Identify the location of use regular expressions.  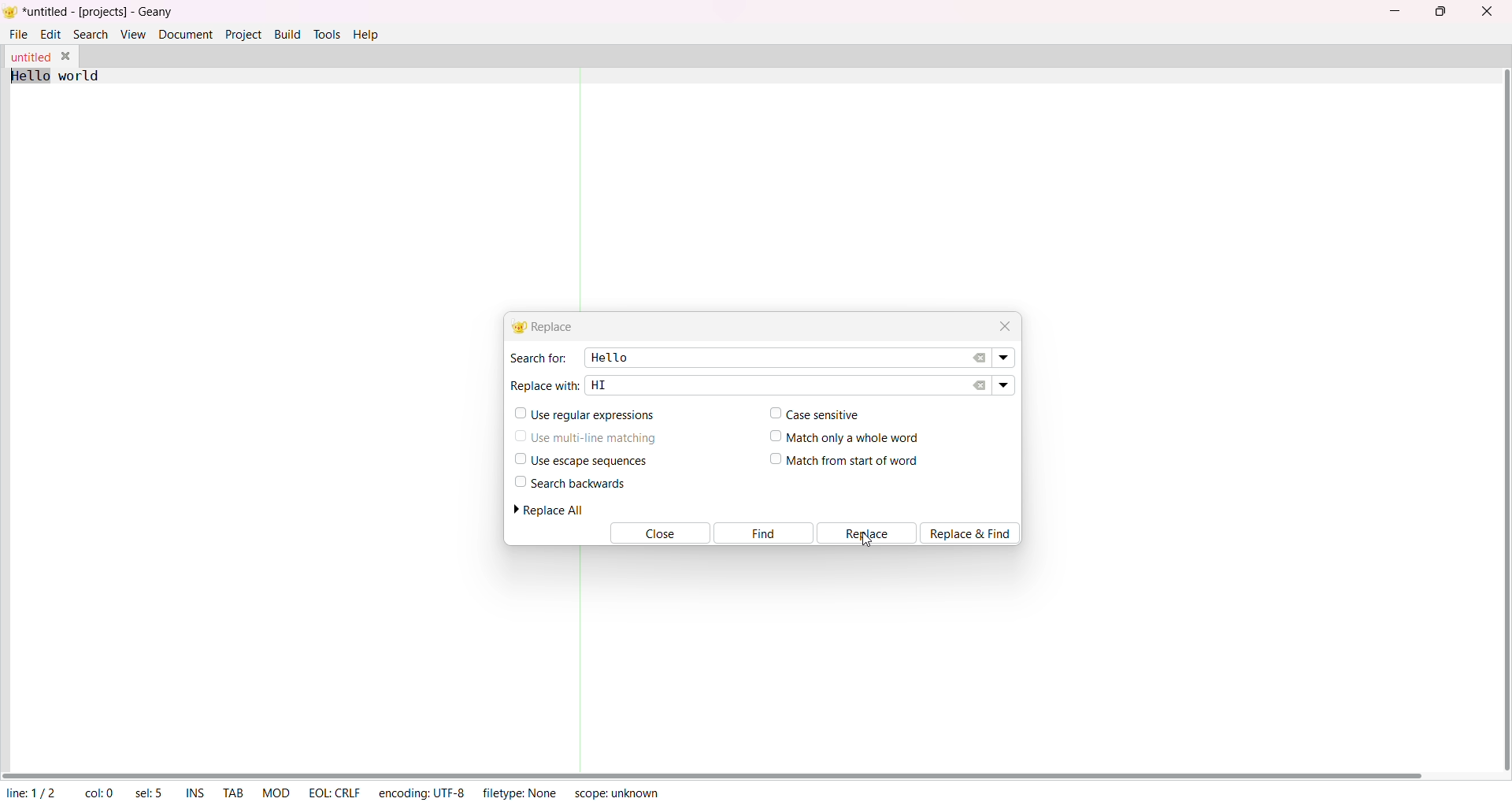
(586, 415).